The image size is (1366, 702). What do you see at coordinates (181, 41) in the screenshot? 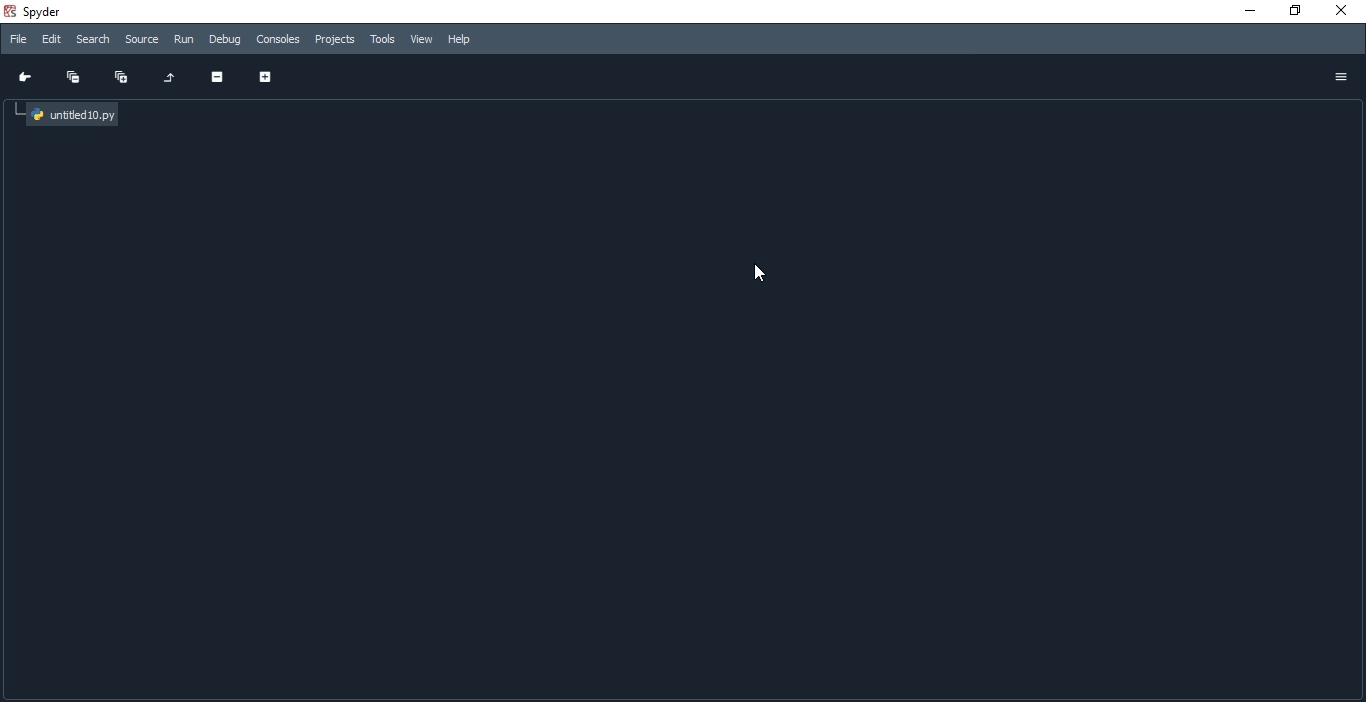
I see `Run` at bounding box center [181, 41].